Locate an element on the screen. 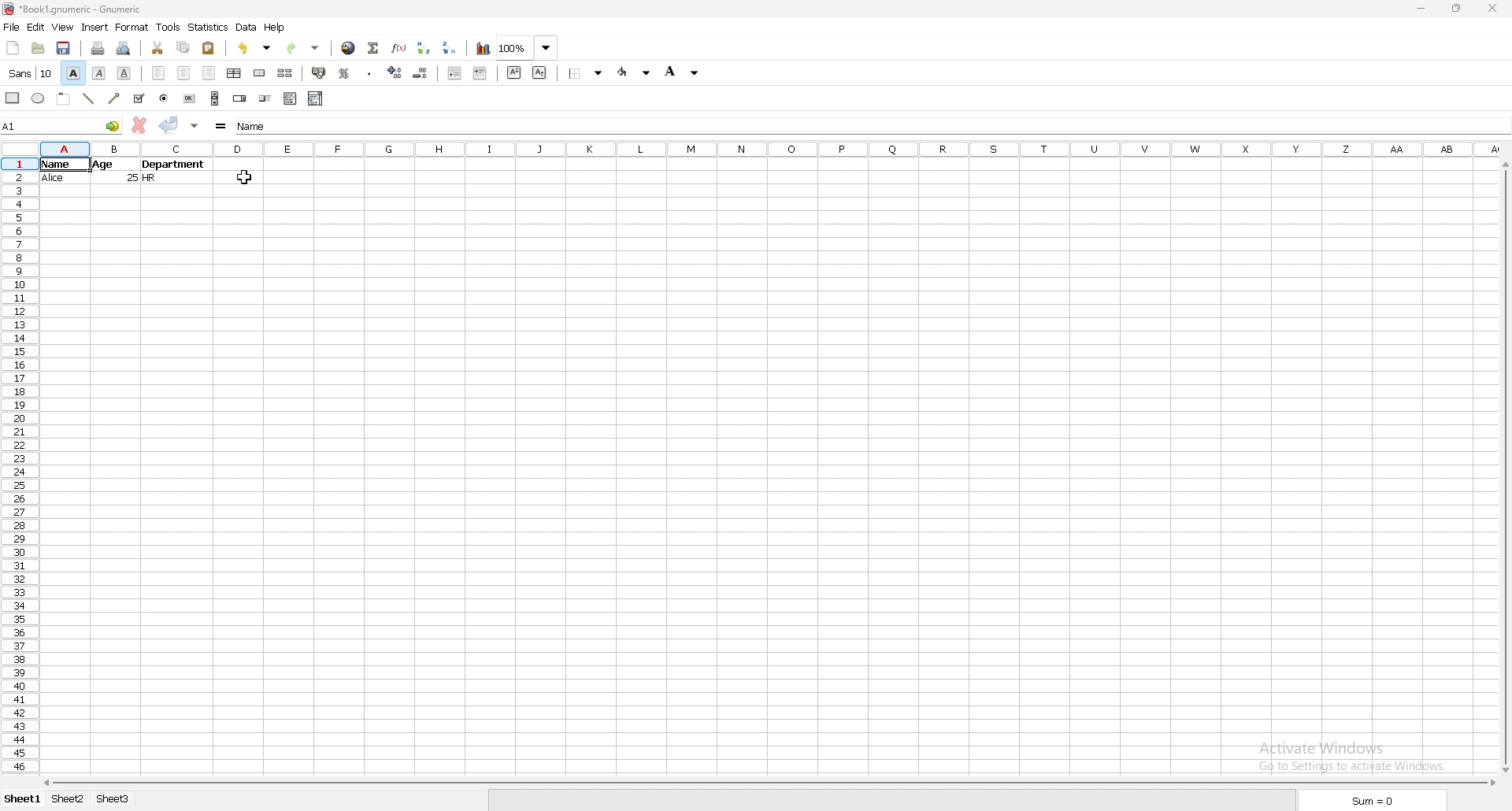 Image resolution: width=1512 pixels, height=811 pixels. zoom is located at coordinates (528, 48).